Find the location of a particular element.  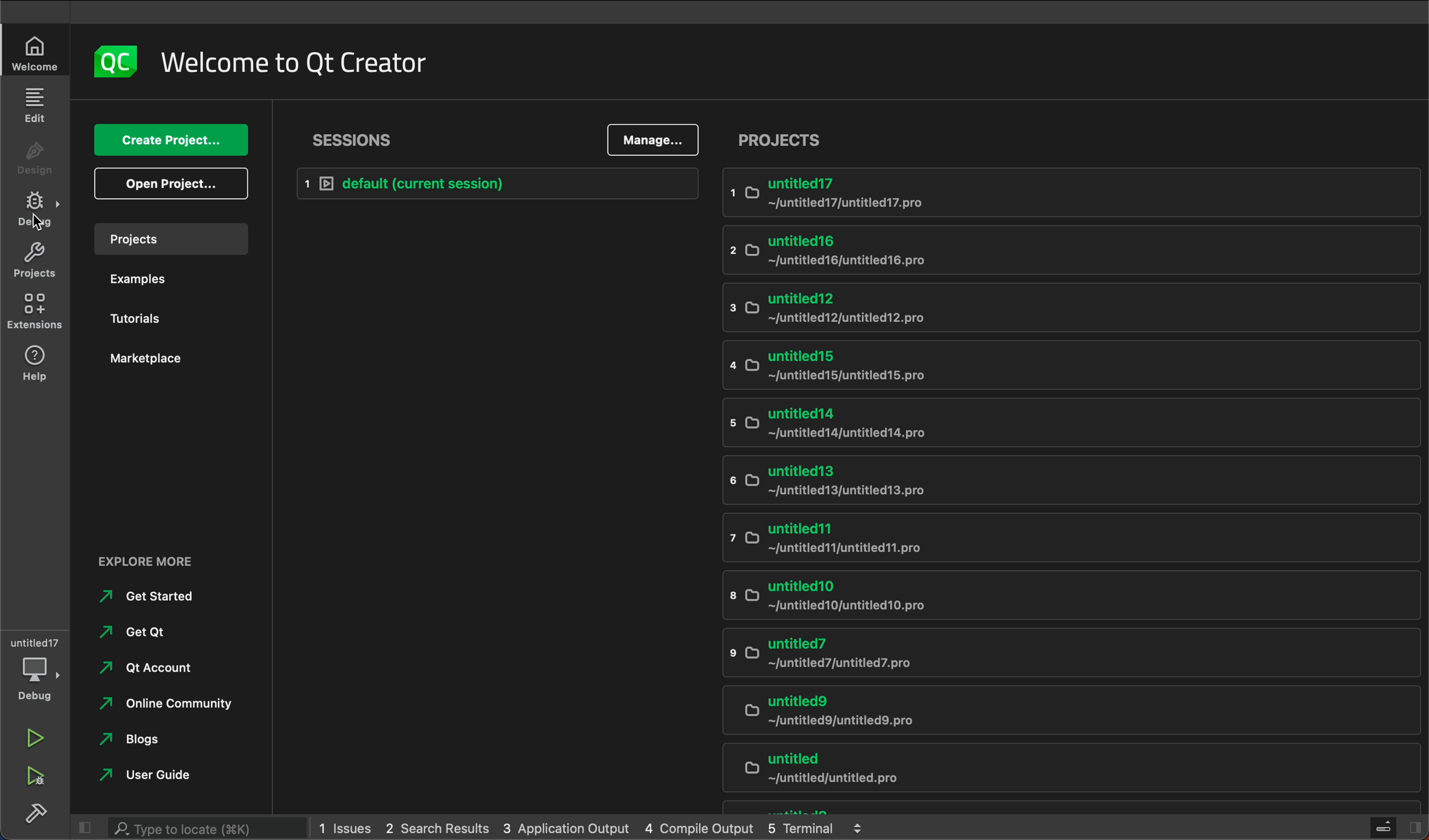

untitled?
~Juntitled7/untitled7.pro is located at coordinates (1071, 655).